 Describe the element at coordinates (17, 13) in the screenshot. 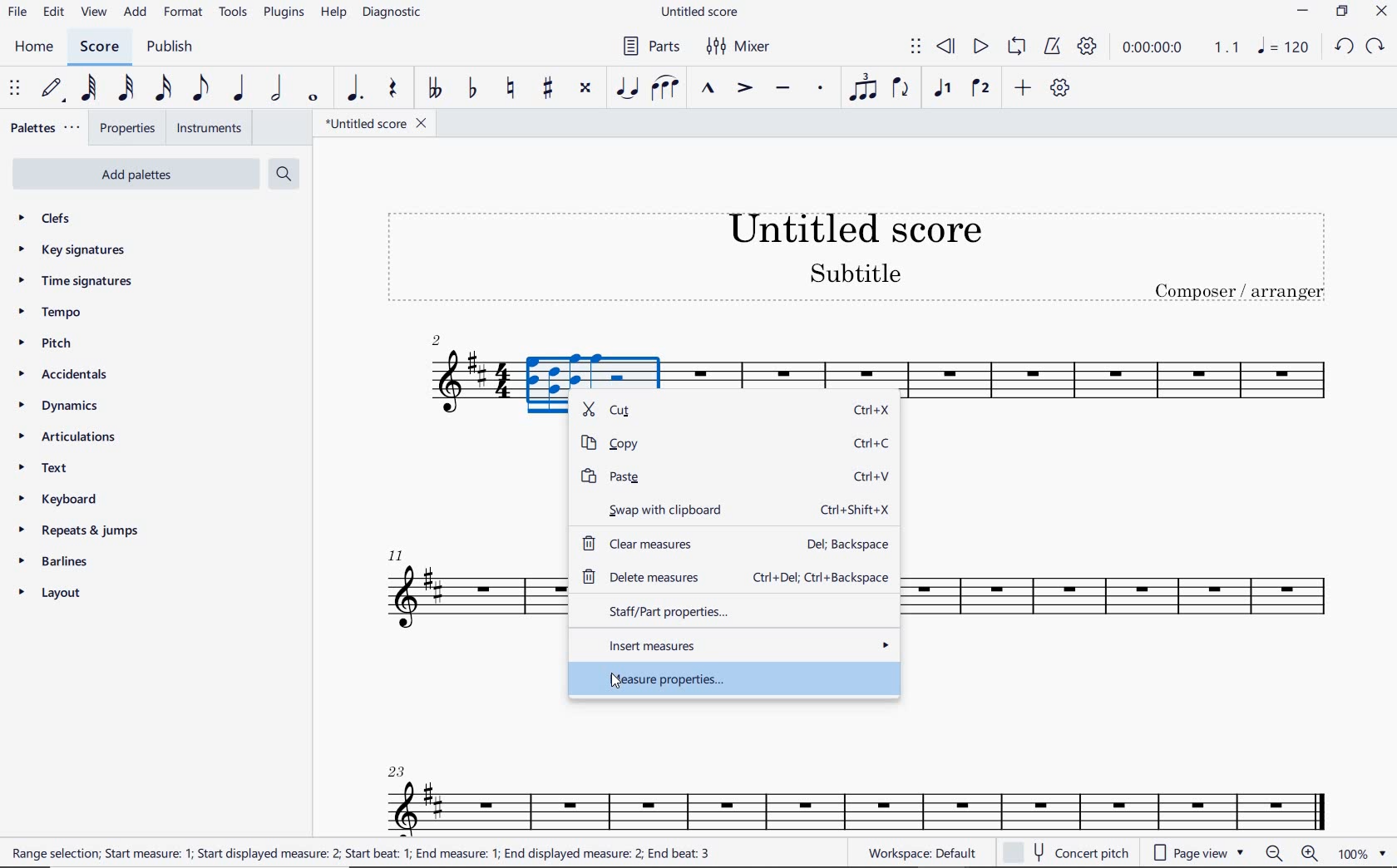

I see `FILE` at that location.